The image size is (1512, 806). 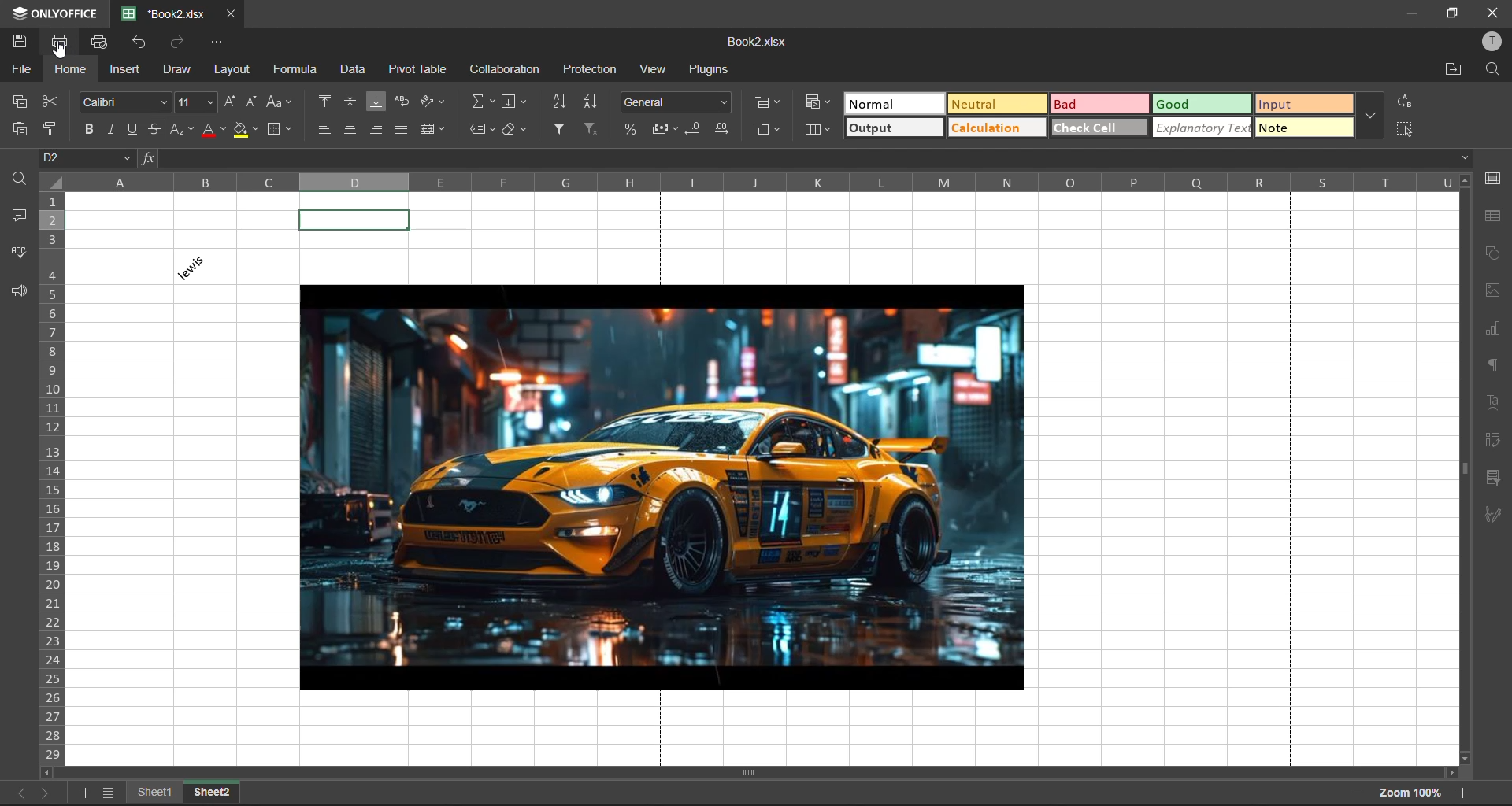 I want to click on data, so click(x=358, y=68).